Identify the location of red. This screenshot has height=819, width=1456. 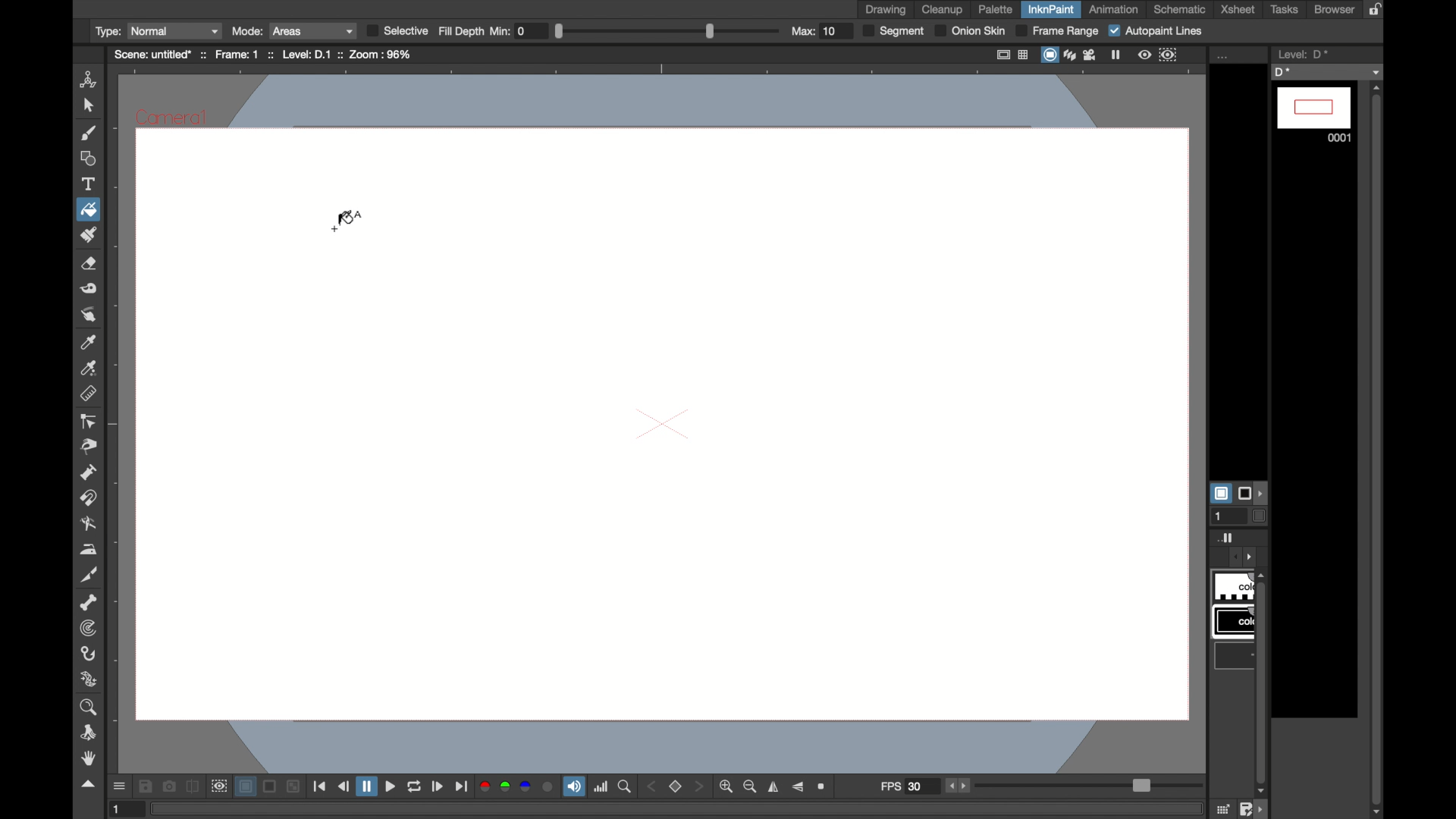
(482, 787).